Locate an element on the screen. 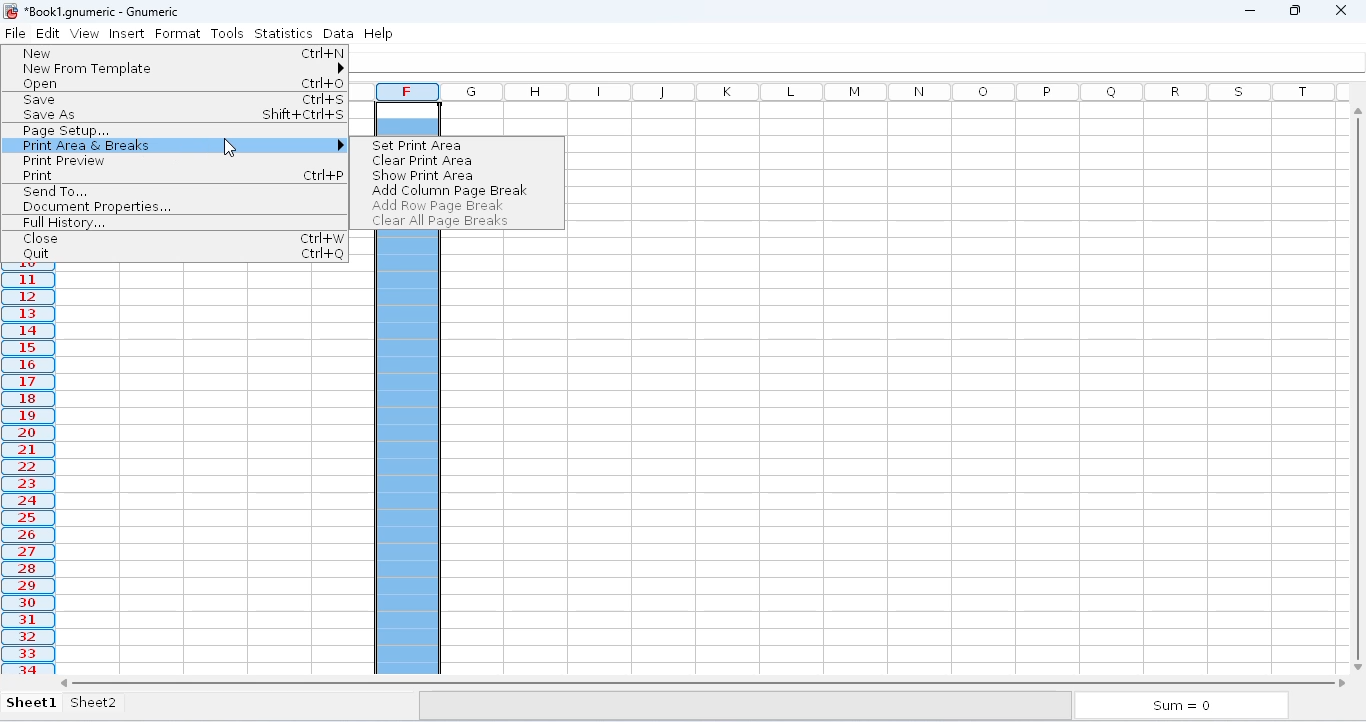 Image resolution: width=1366 pixels, height=722 pixels. sheet1 is located at coordinates (33, 703).